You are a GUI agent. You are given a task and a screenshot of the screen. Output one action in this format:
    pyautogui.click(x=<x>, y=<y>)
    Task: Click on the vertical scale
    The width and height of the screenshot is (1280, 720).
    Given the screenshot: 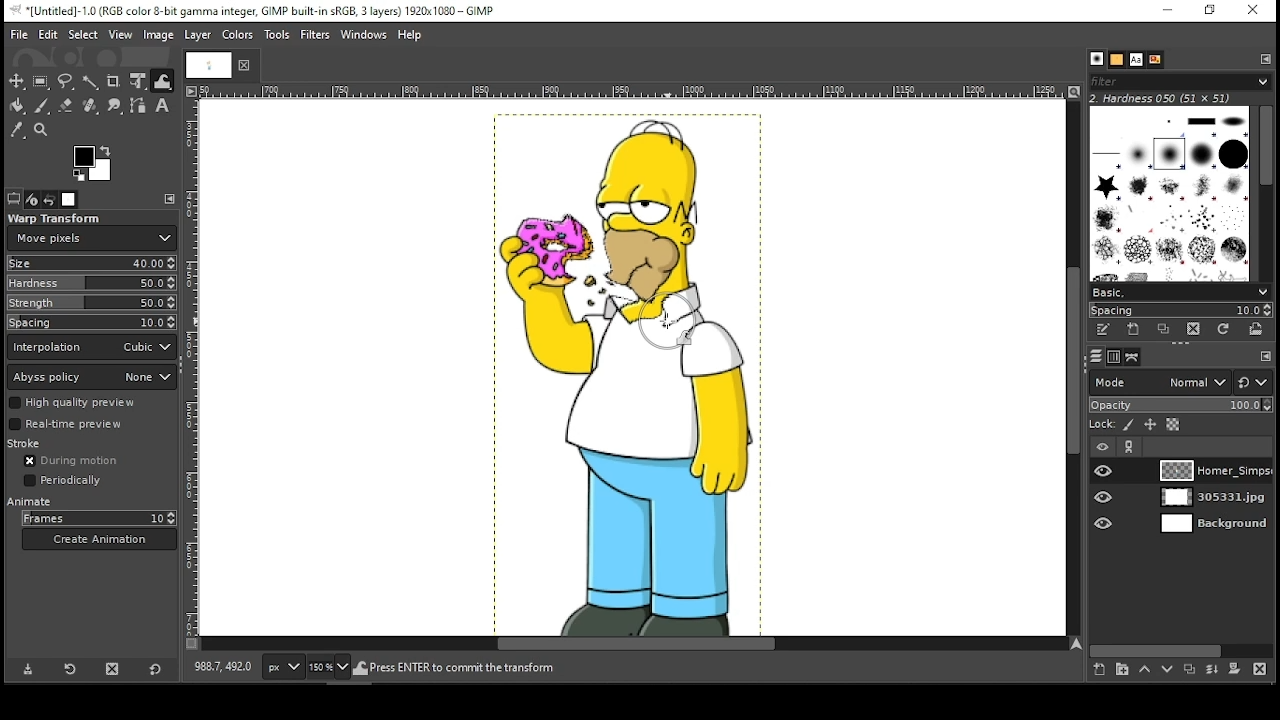 What is the action you would take?
    pyautogui.click(x=639, y=90)
    